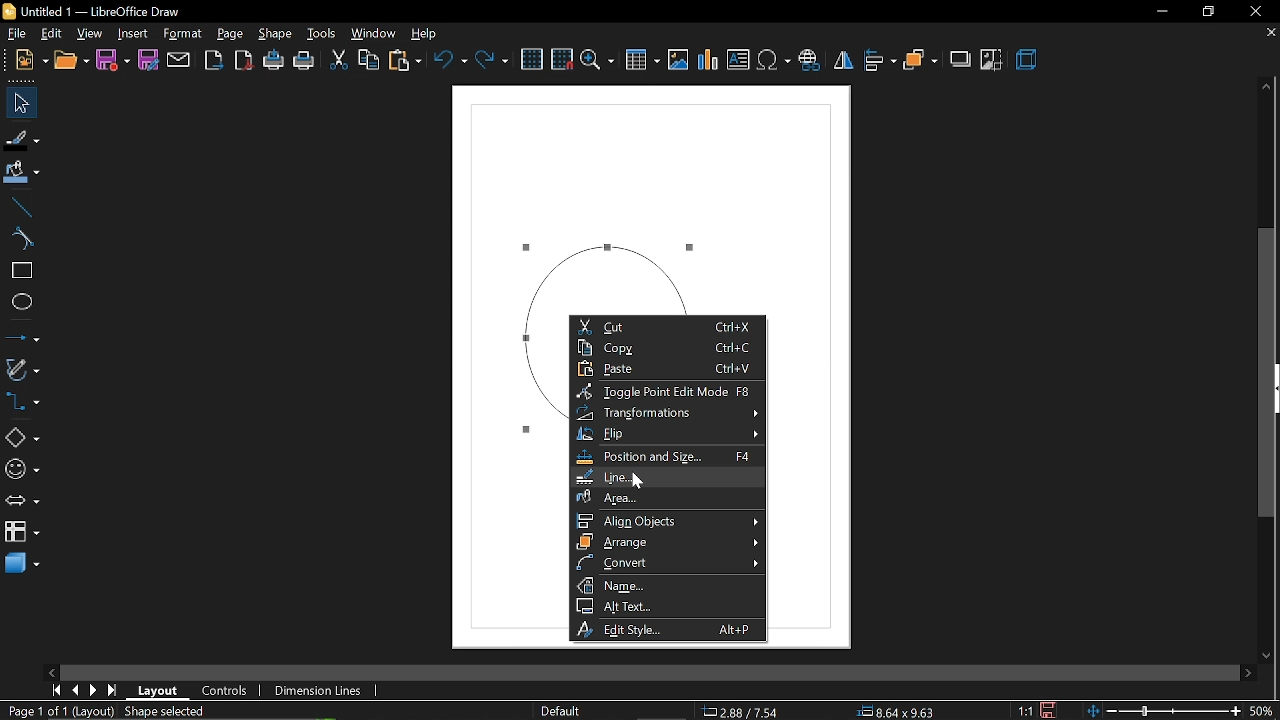 This screenshot has width=1280, height=720. What do you see at coordinates (842, 59) in the screenshot?
I see `flip` at bounding box center [842, 59].